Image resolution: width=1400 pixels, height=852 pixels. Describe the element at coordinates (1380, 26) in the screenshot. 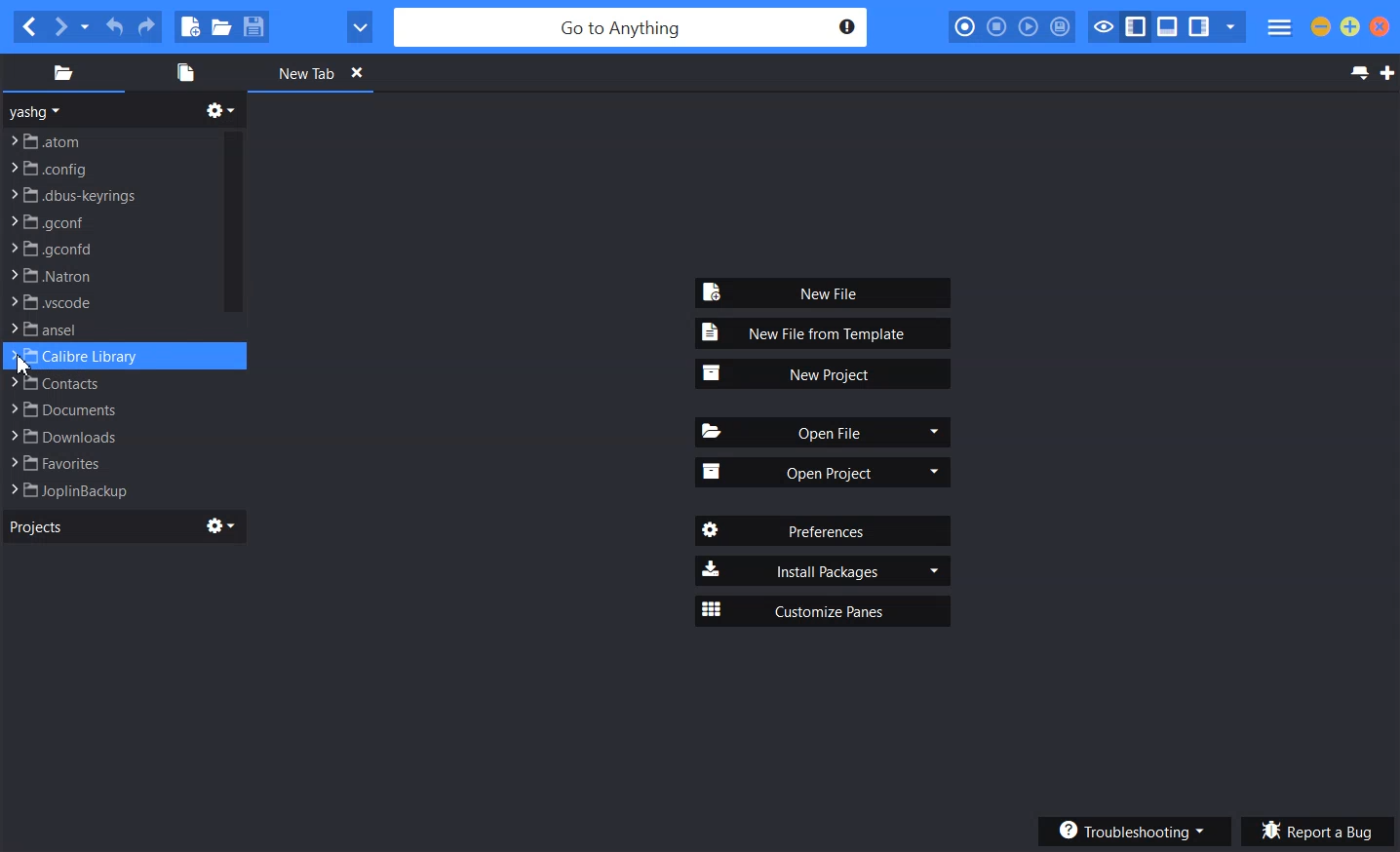

I see `Close` at that location.